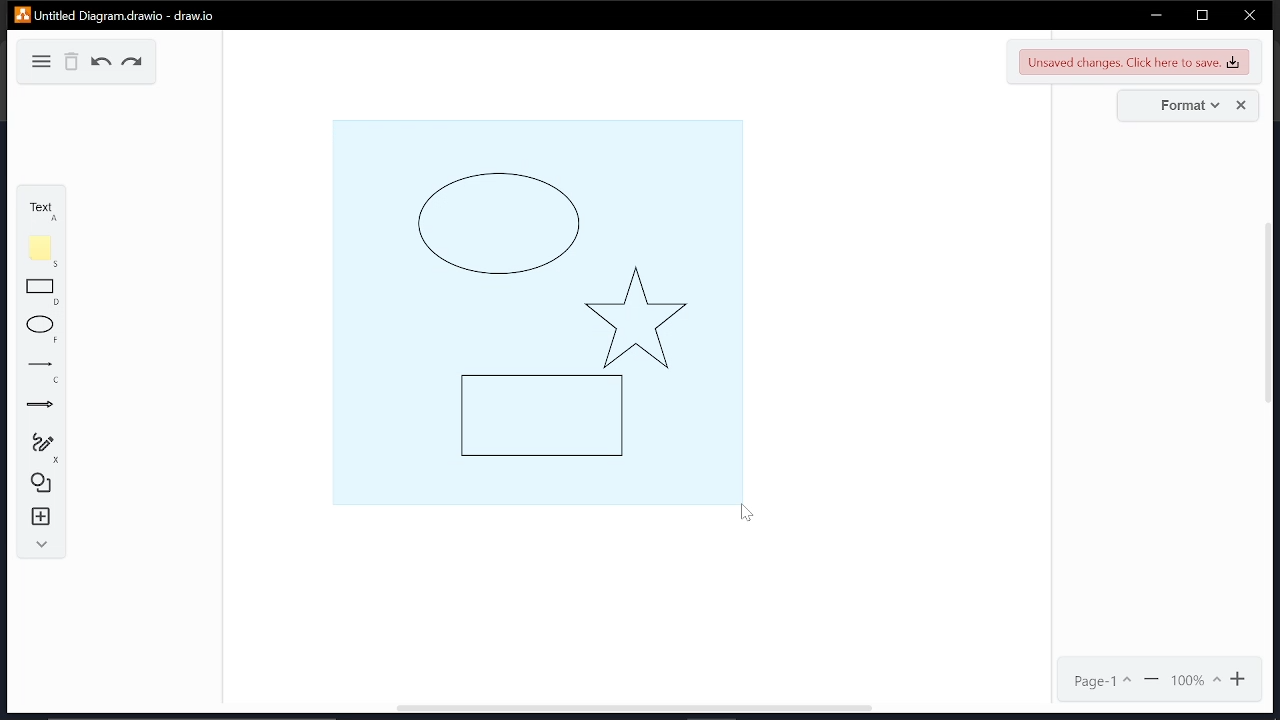  I want to click on close, so click(1244, 105).